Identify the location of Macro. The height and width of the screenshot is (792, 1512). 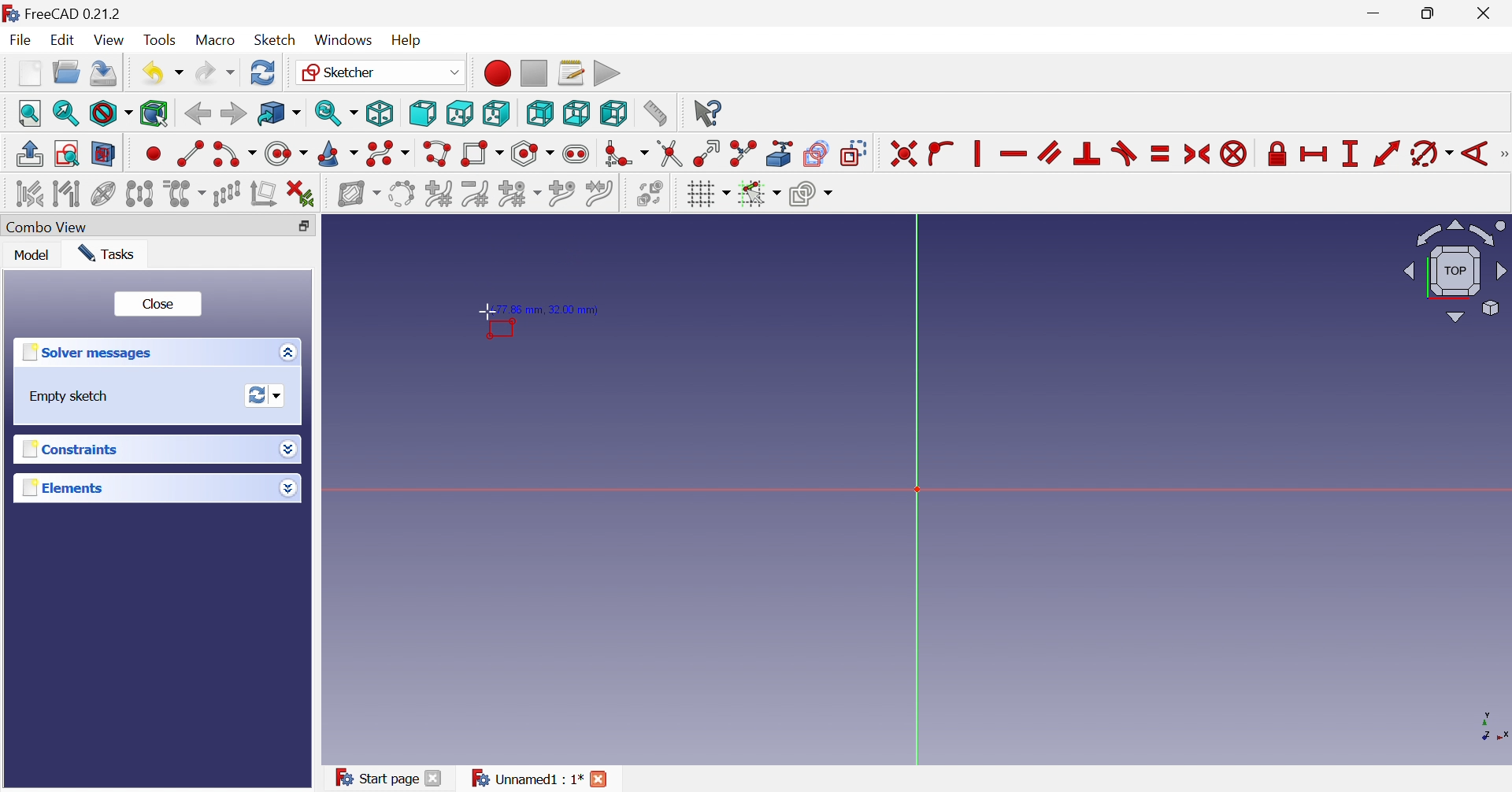
(214, 41).